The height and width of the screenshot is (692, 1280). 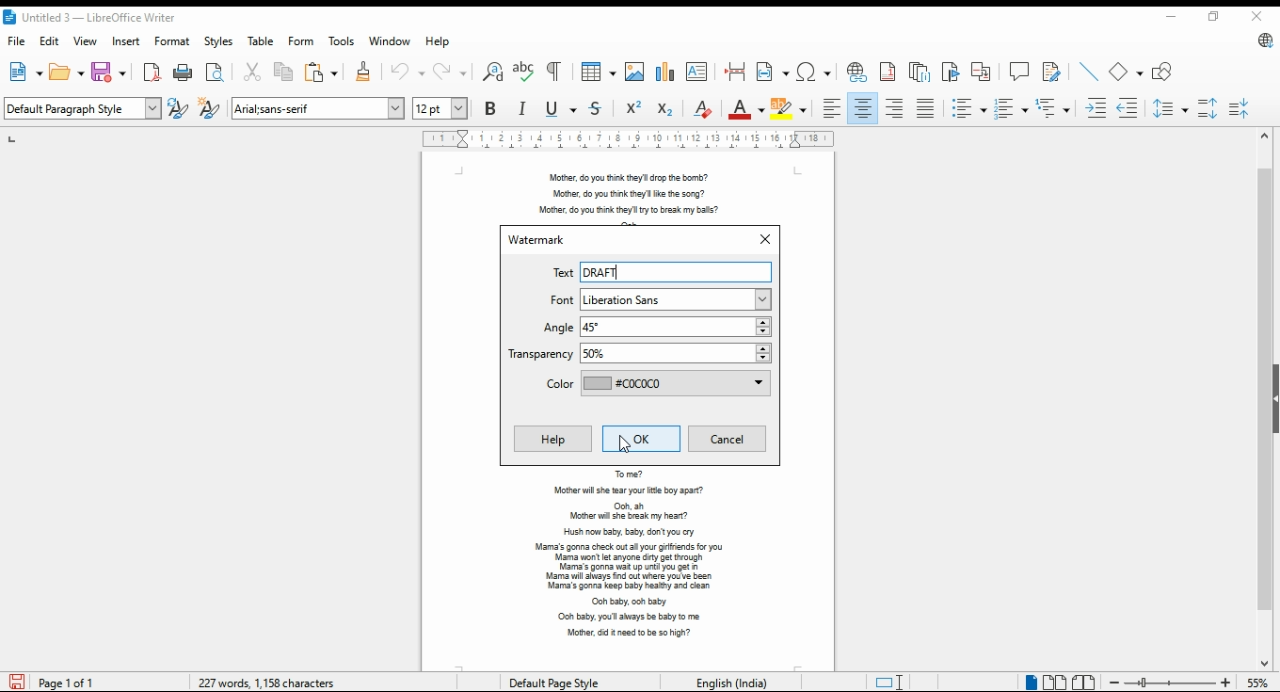 What do you see at coordinates (318, 107) in the screenshot?
I see `font settings` at bounding box center [318, 107].